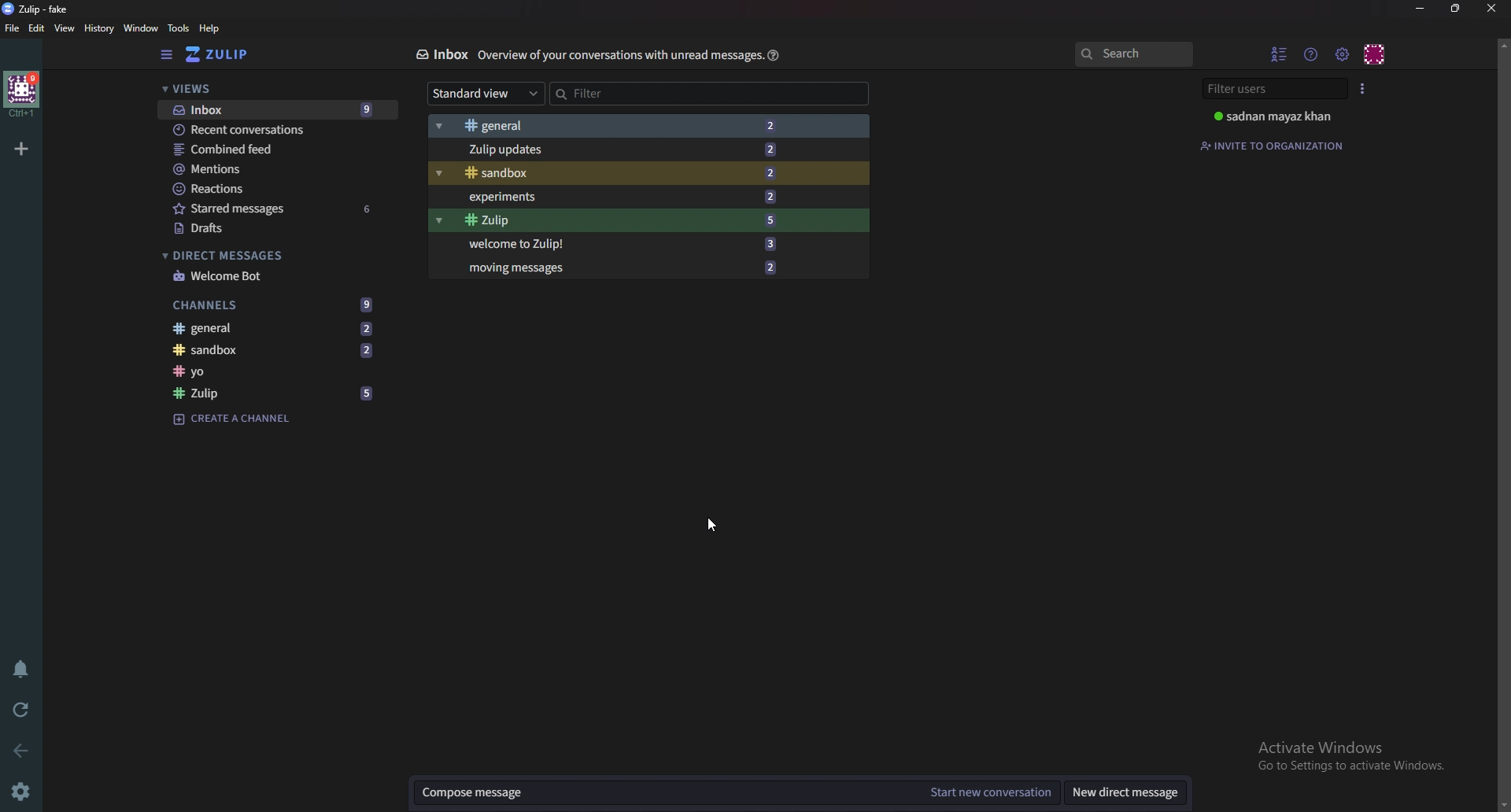 This screenshot has width=1511, height=812. What do you see at coordinates (20, 149) in the screenshot?
I see `Add organization` at bounding box center [20, 149].